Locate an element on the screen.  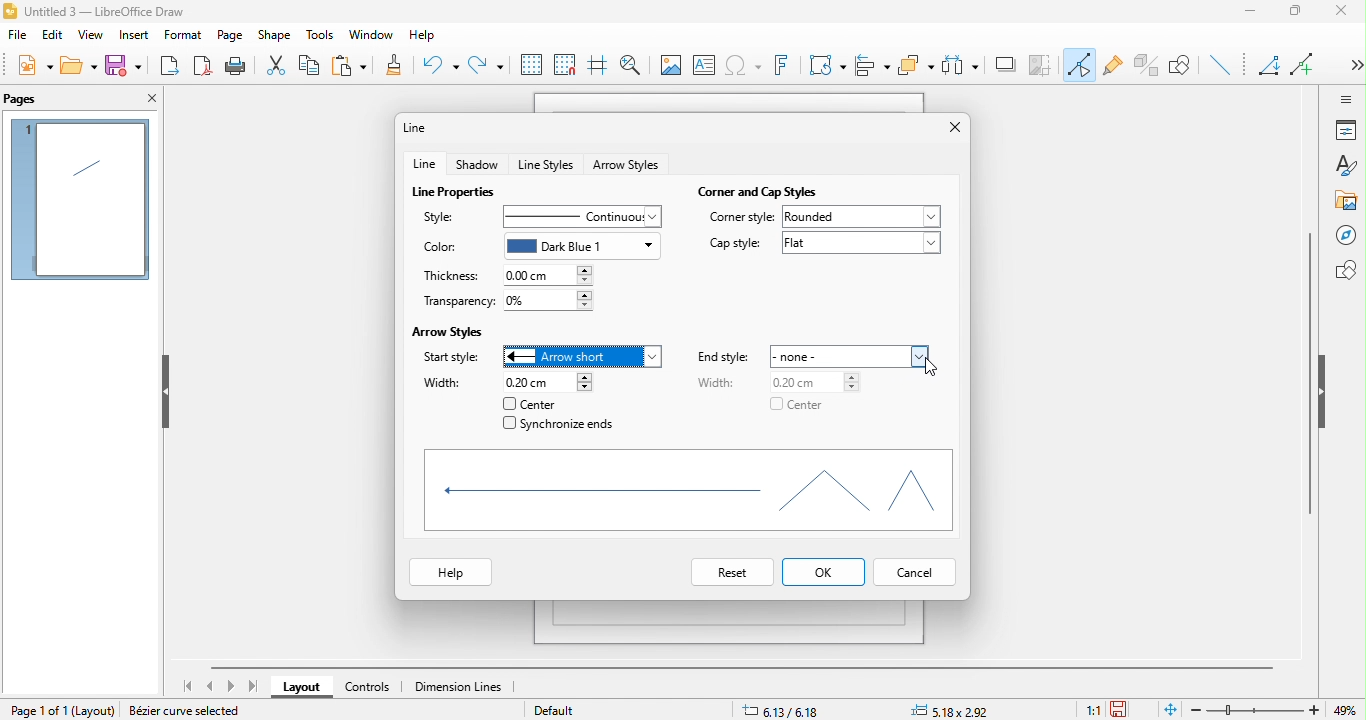
hide is located at coordinates (1325, 392).